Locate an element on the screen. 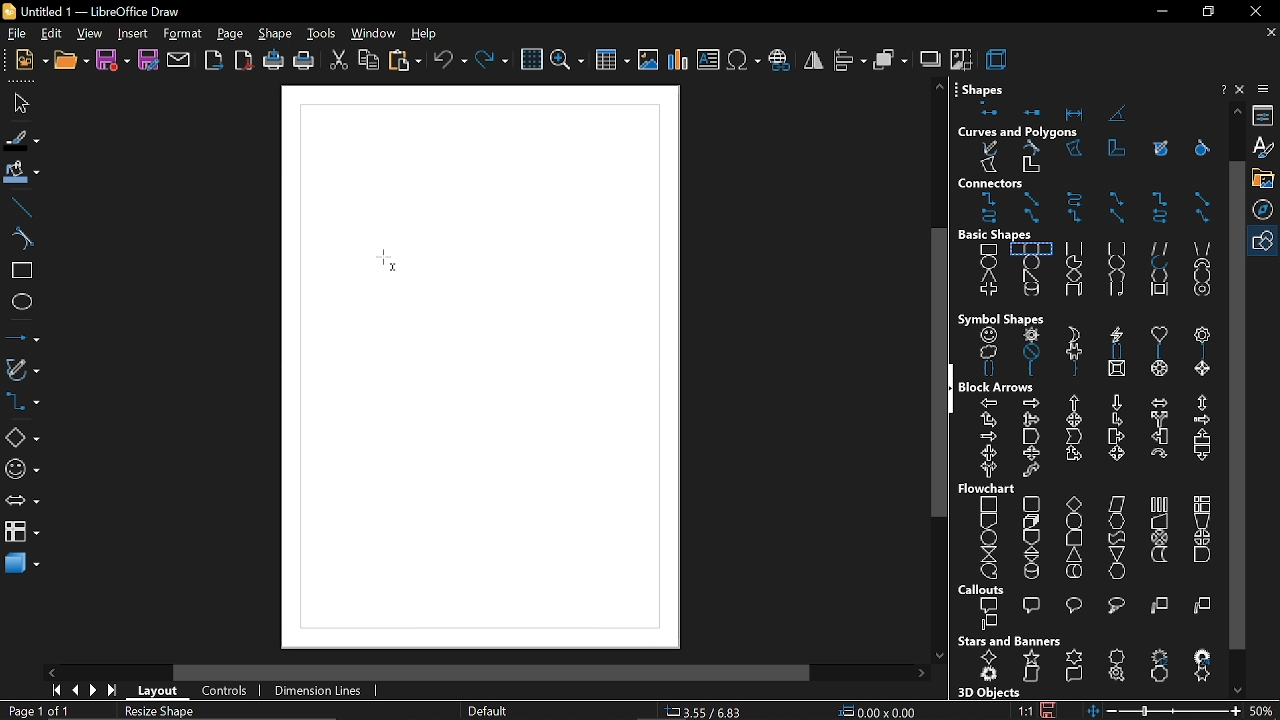  redo is located at coordinates (493, 62).